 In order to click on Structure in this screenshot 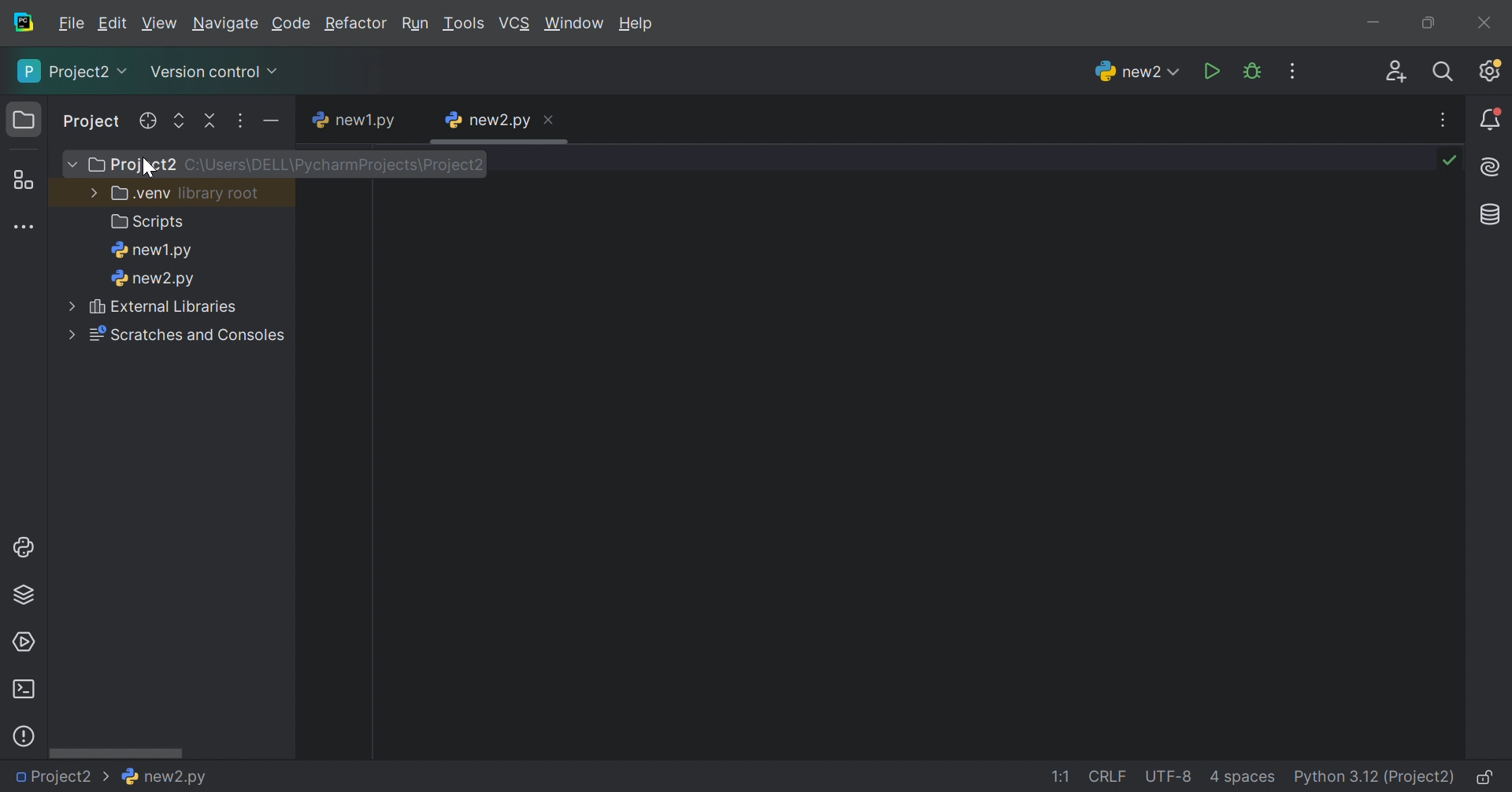, I will do `click(24, 181)`.